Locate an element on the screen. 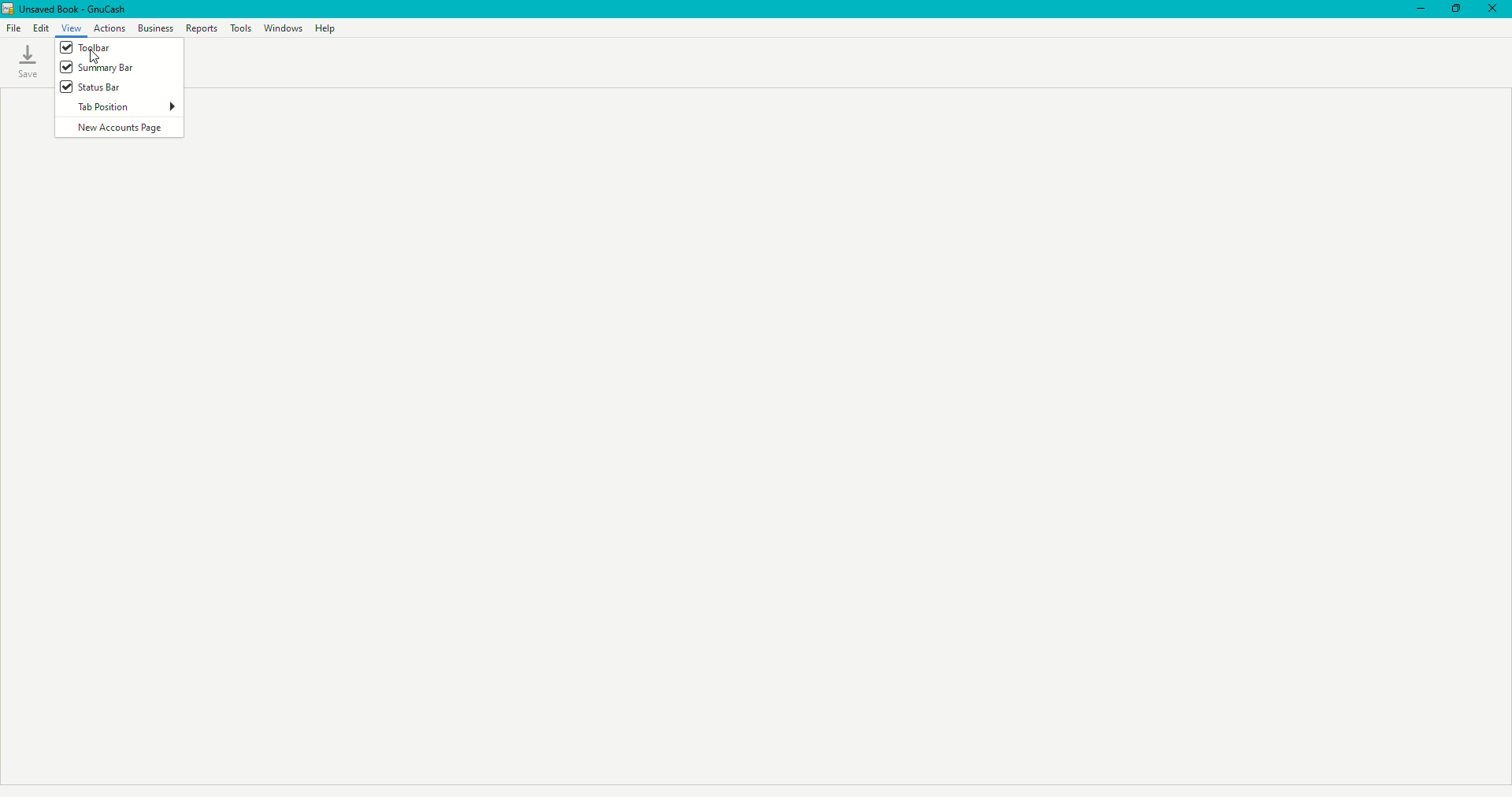 The height and width of the screenshot is (797, 1512). logo is located at coordinates (9, 9).